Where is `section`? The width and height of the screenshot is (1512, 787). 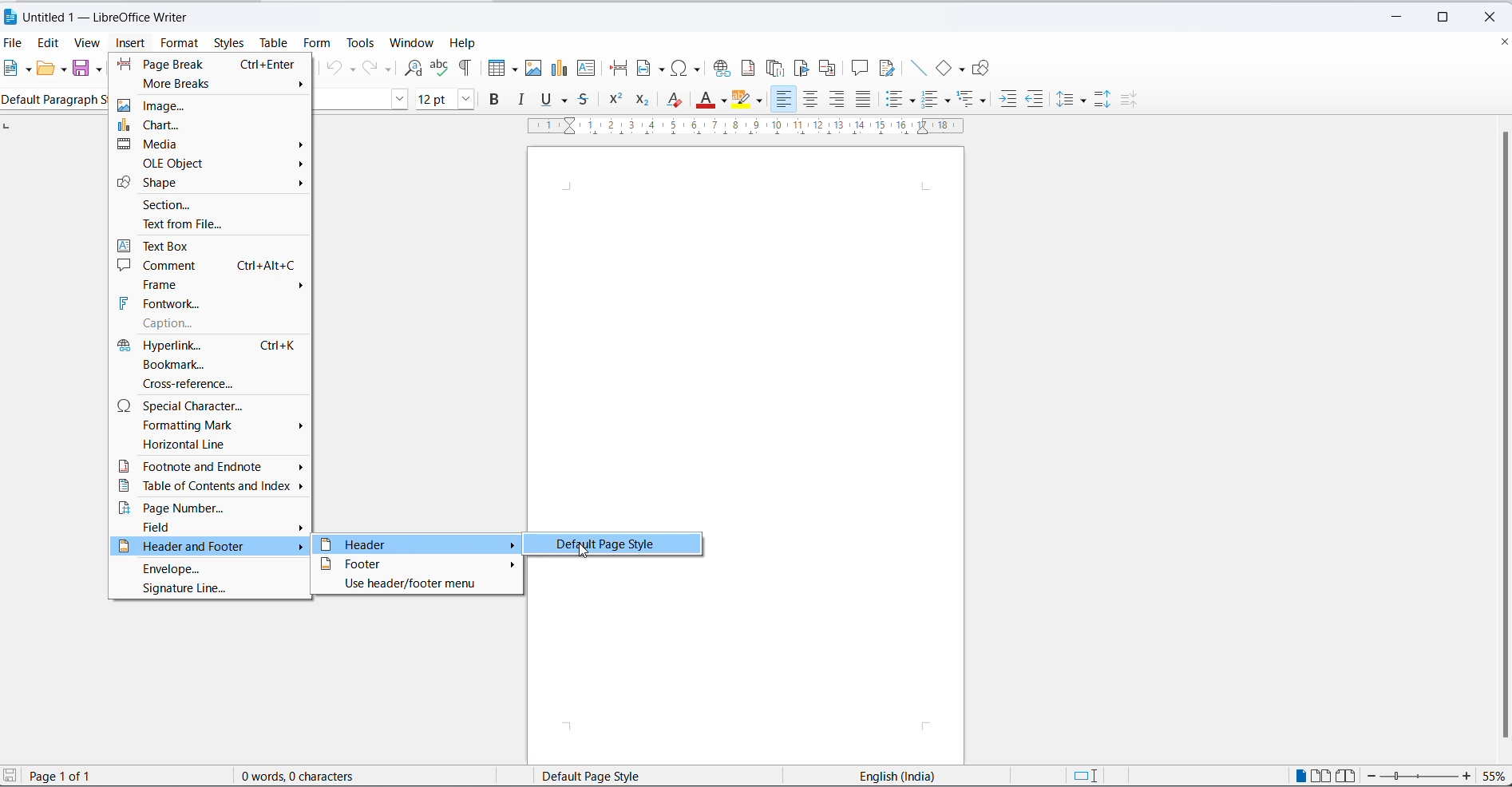 section is located at coordinates (213, 208).